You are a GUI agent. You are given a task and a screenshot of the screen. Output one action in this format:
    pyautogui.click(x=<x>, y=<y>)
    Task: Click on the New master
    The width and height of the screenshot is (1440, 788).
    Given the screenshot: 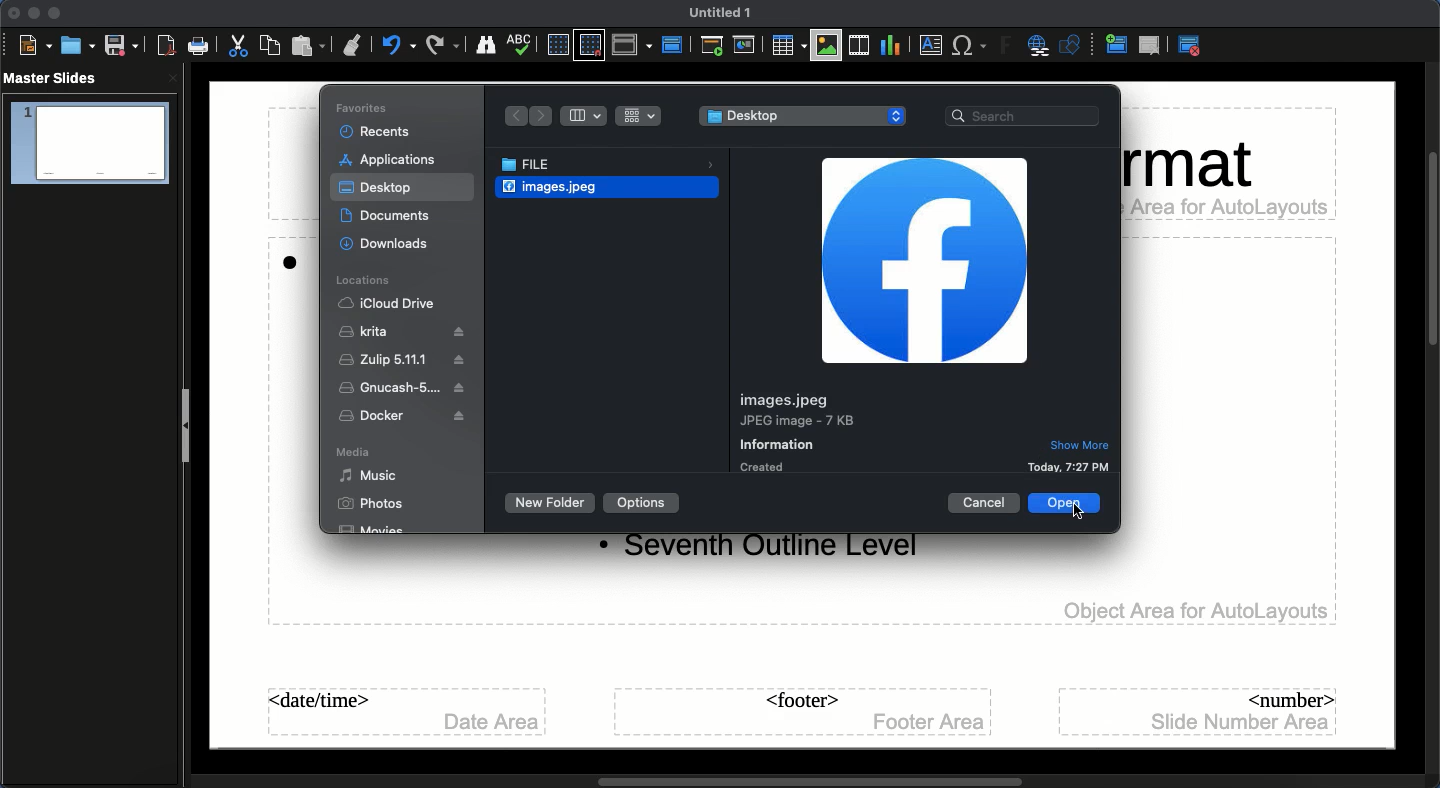 What is the action you would take?
    pyautogui.click(x=1117, y=43)
    